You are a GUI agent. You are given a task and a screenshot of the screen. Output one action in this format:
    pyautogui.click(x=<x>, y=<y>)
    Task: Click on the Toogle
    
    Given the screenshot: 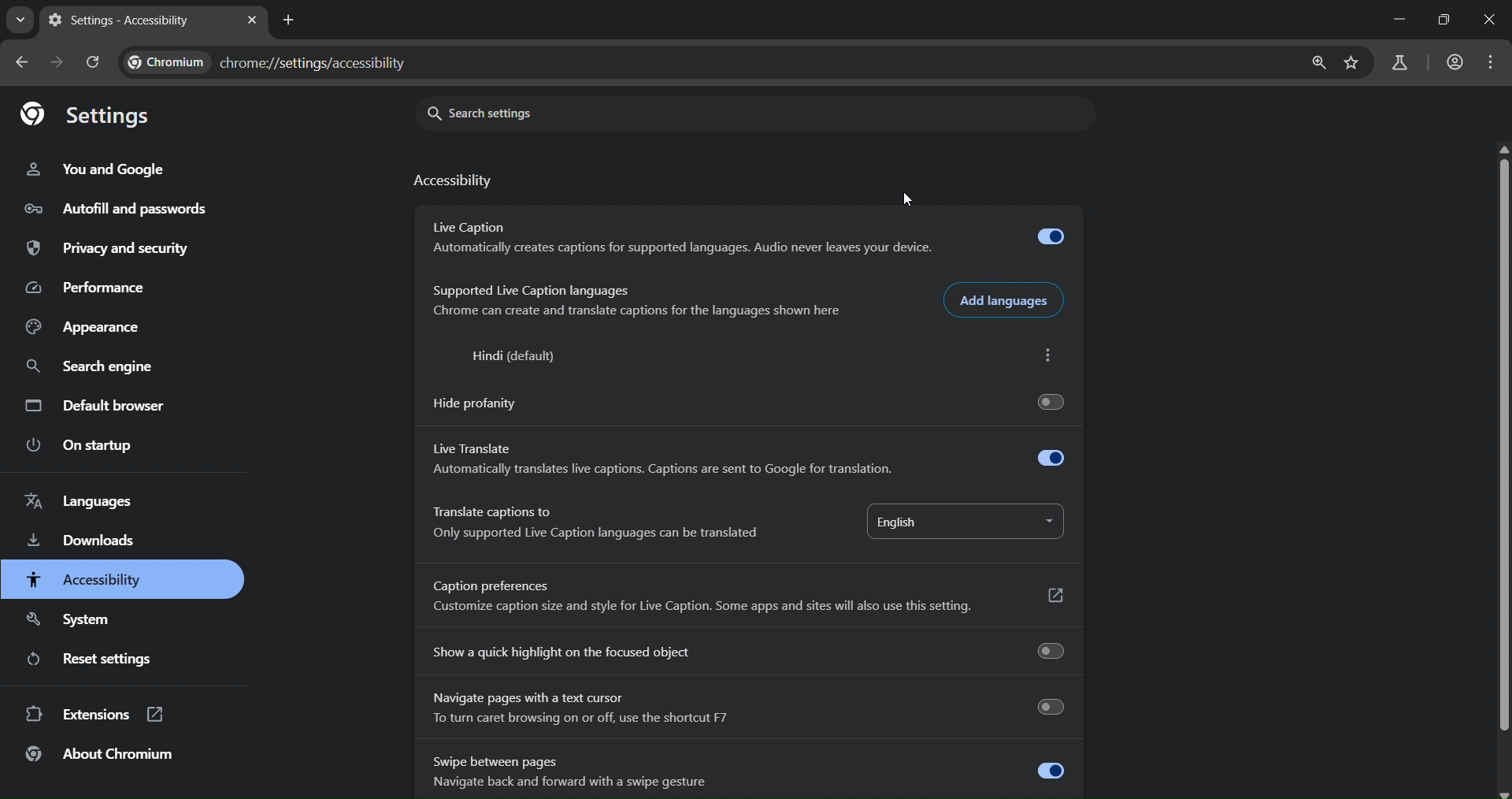 What is the action you would take?
    pyautogui.click(x=1047, y=236)
    